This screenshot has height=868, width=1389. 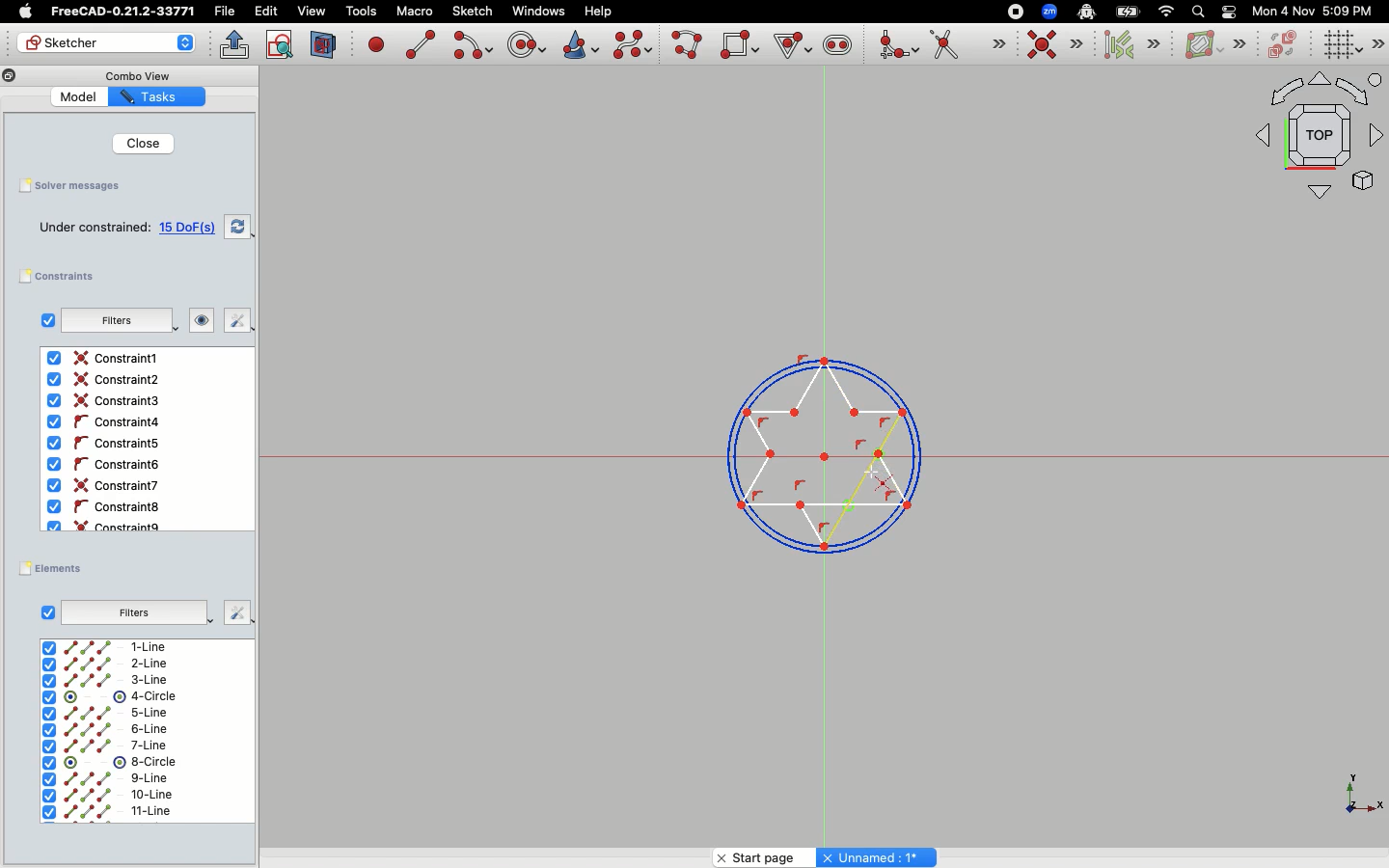 I want to click on Top, so click(x=1310, y=140).